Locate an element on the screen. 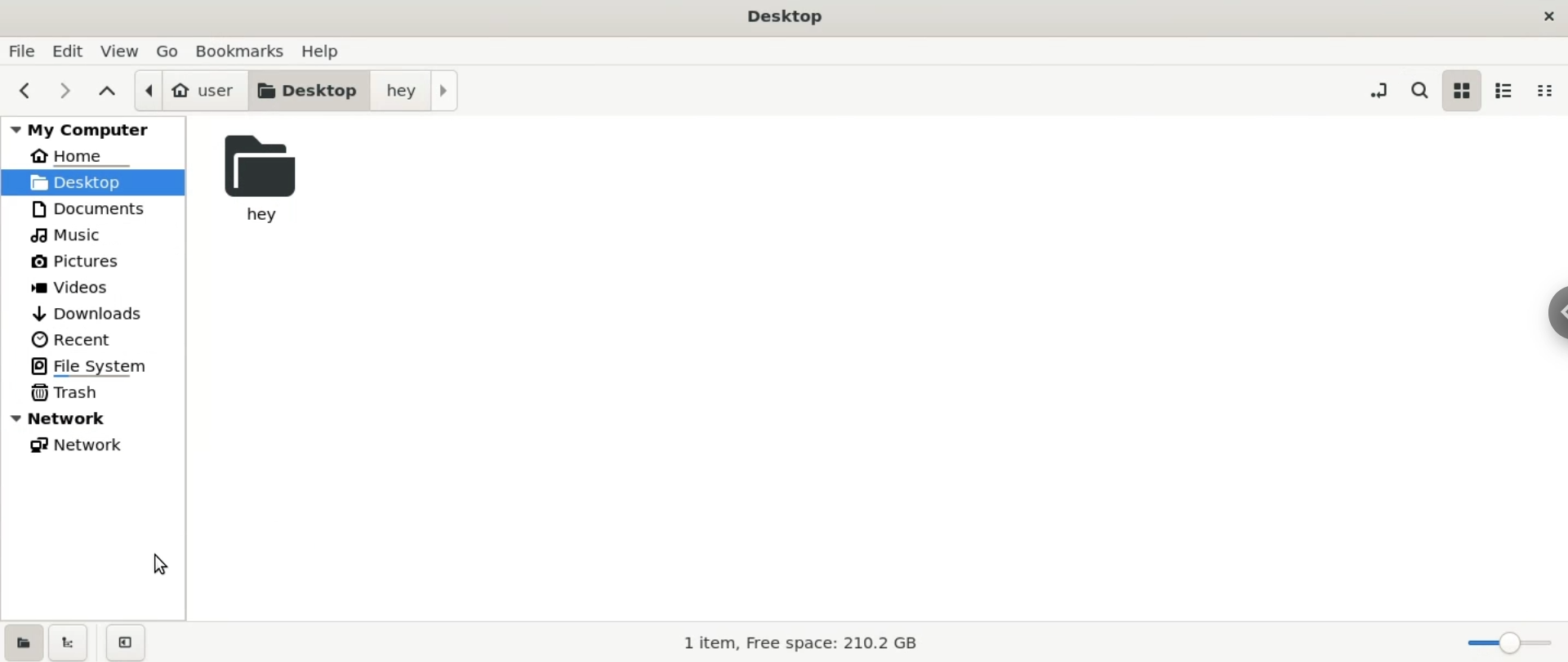 The height and width of the screenshot is (662, 1568). show treeview is located at coordinates (69, 642).